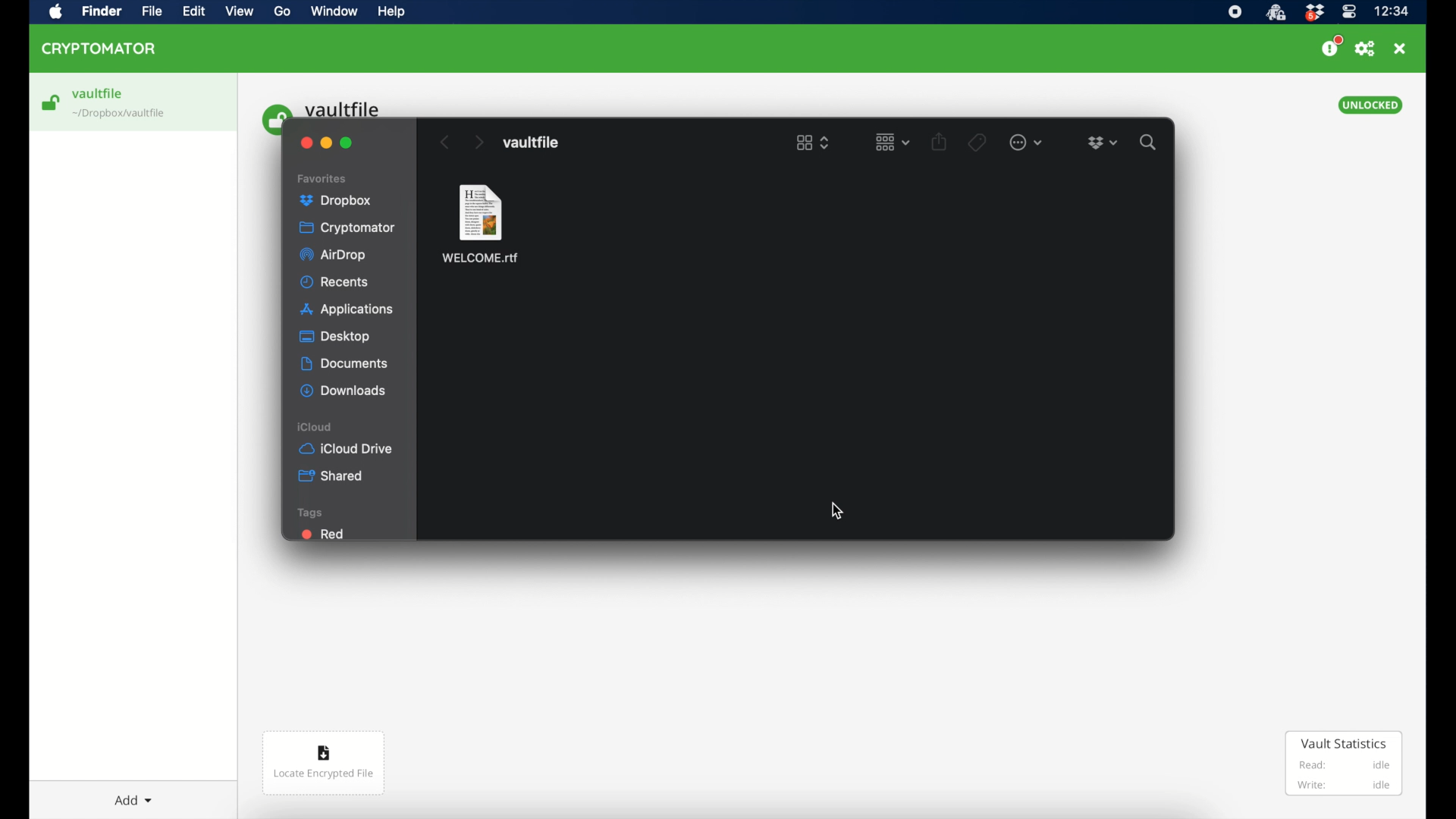 The width and height of the screenshot is (1456, 819). What do you see at coordinates (1151, 143) in the screenshot?
I see `search` at bounding box center [1151, 143].